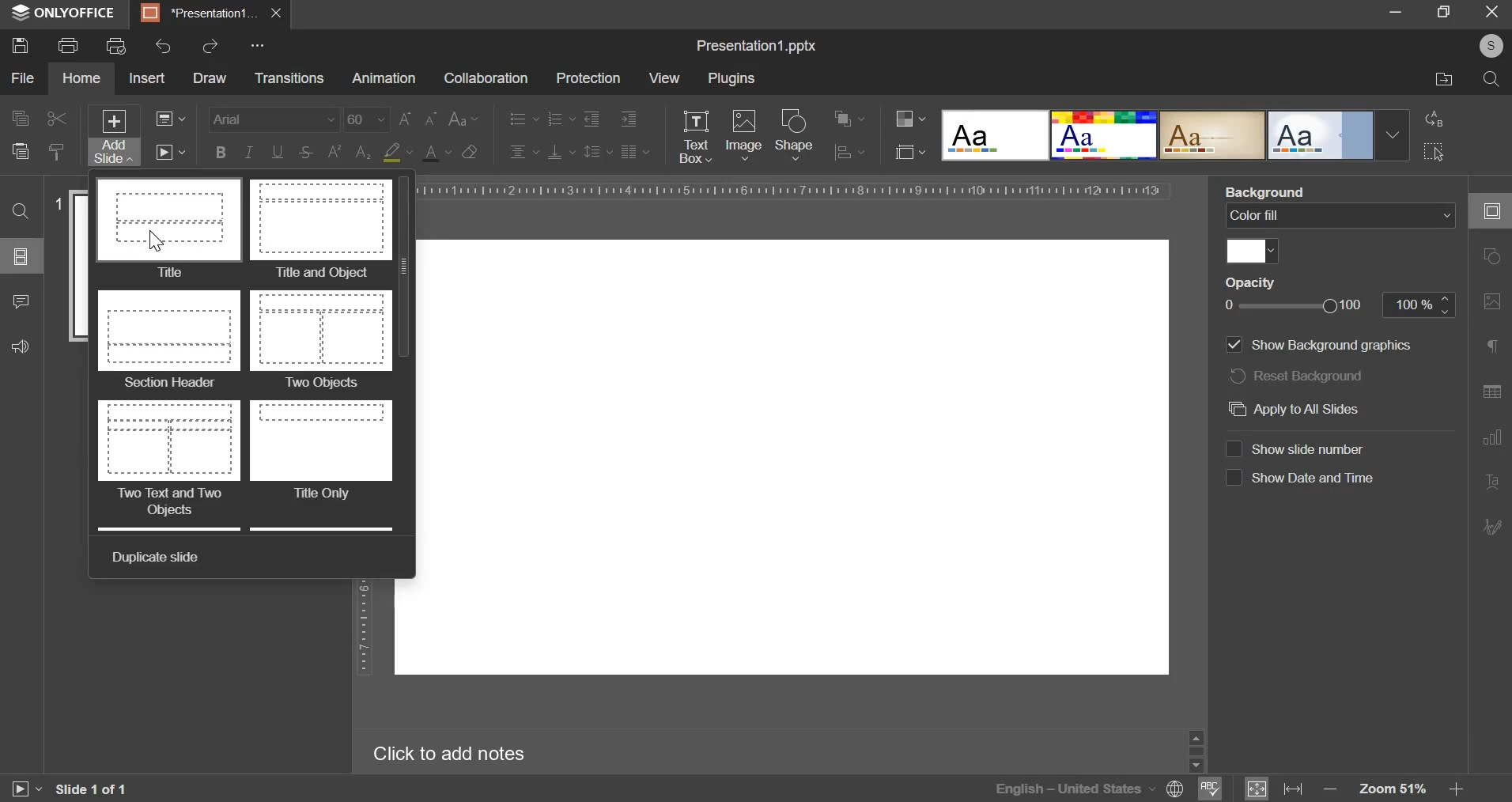  Describe the element at coordinates (1496, 211) in the screenshot. I see `slide settings` at that location.